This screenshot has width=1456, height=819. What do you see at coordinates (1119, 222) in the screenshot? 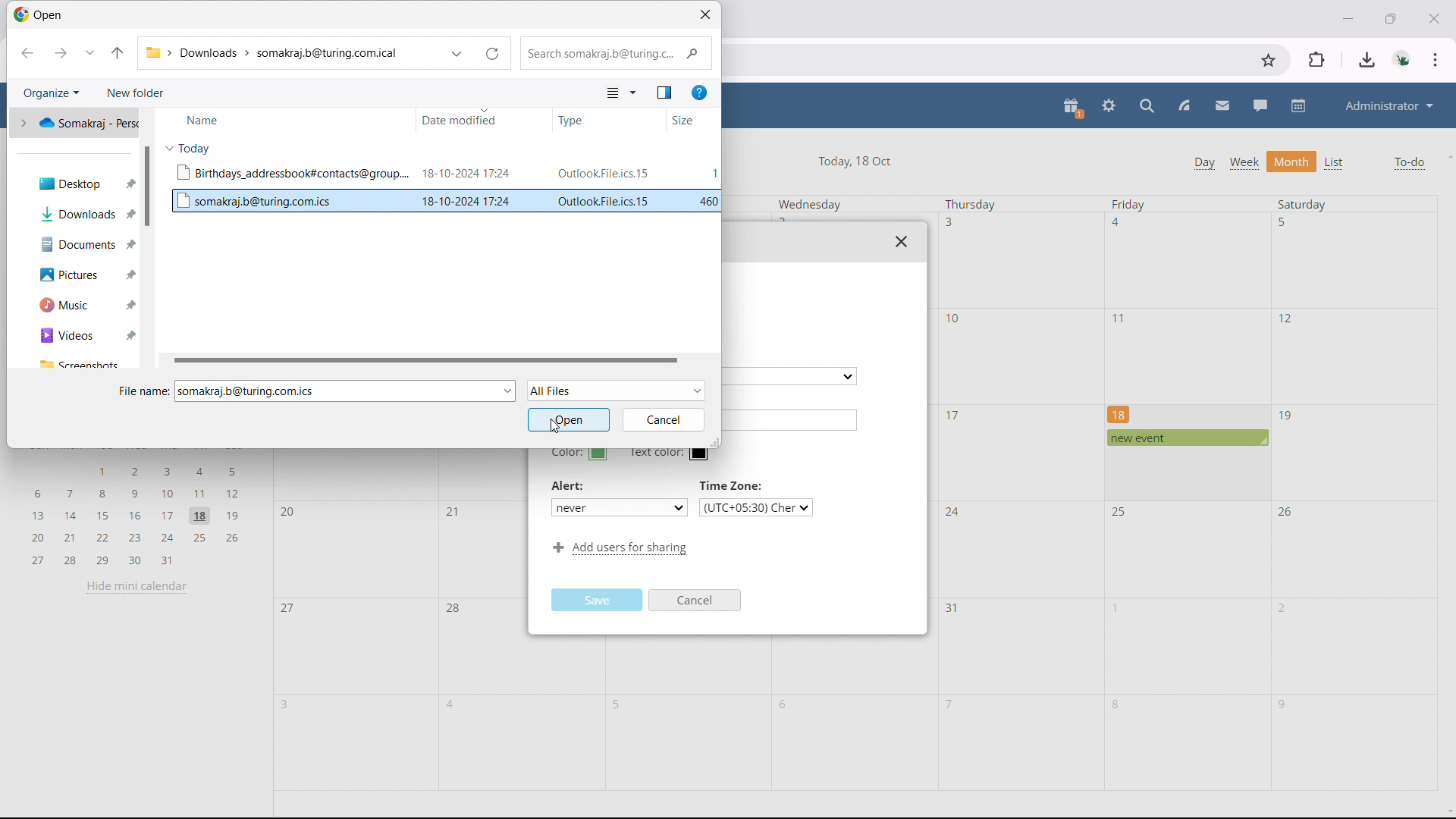
I see `4` at bounding box center [1119, 222].